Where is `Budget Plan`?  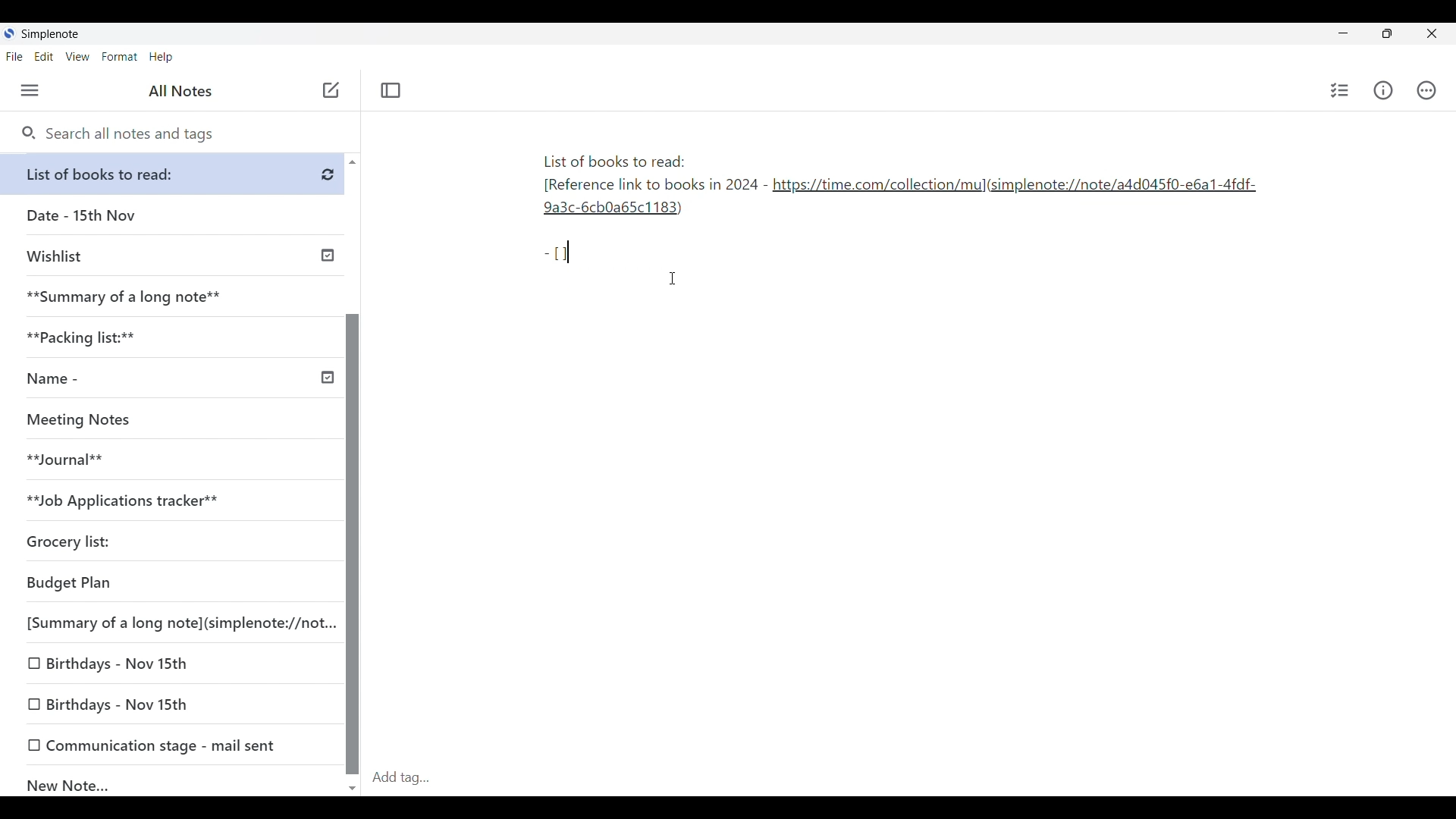 Budget Plan is located at coordinates (170, 584).